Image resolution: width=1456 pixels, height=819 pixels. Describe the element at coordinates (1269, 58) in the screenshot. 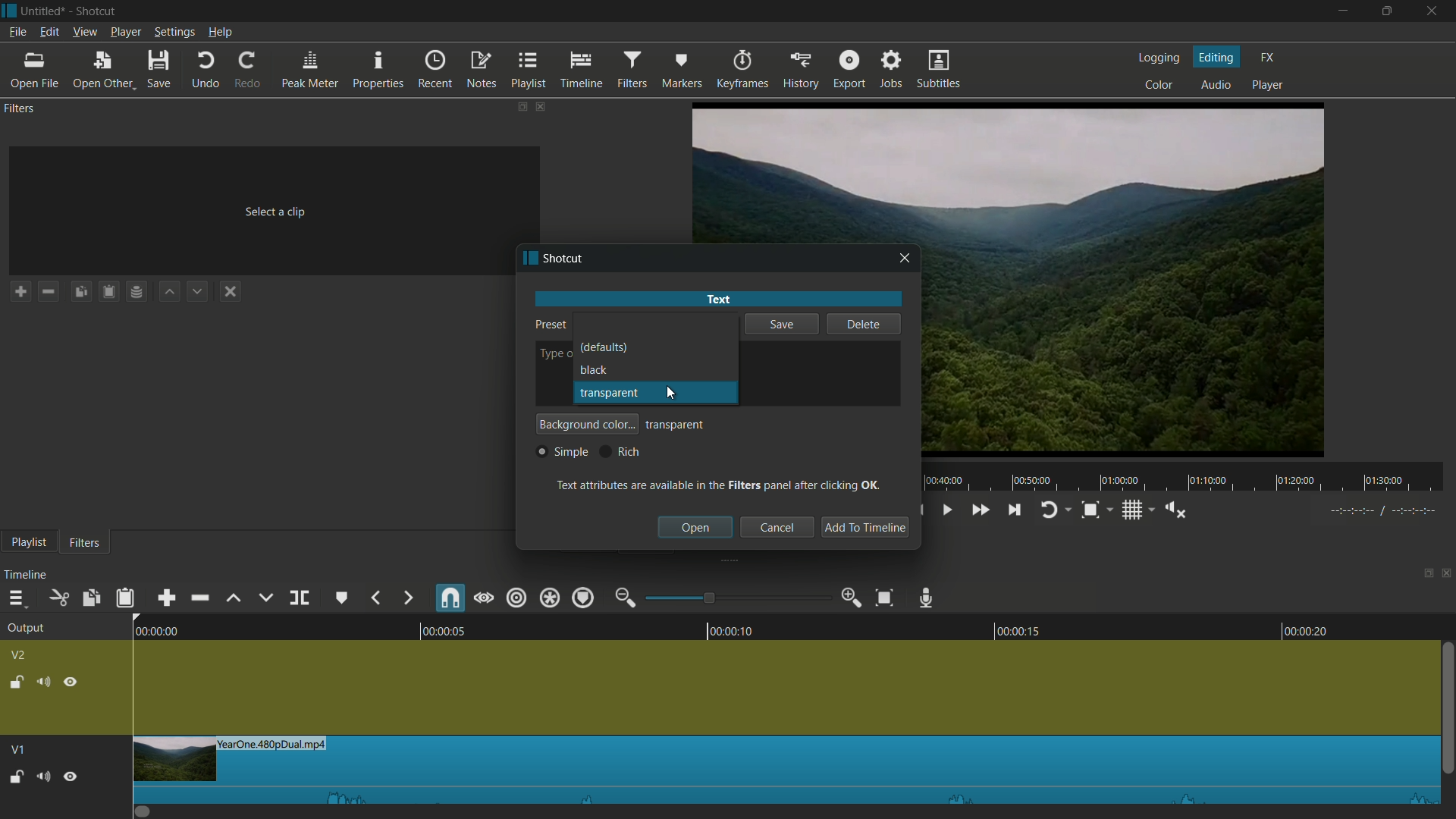

I see `fx` at that location.